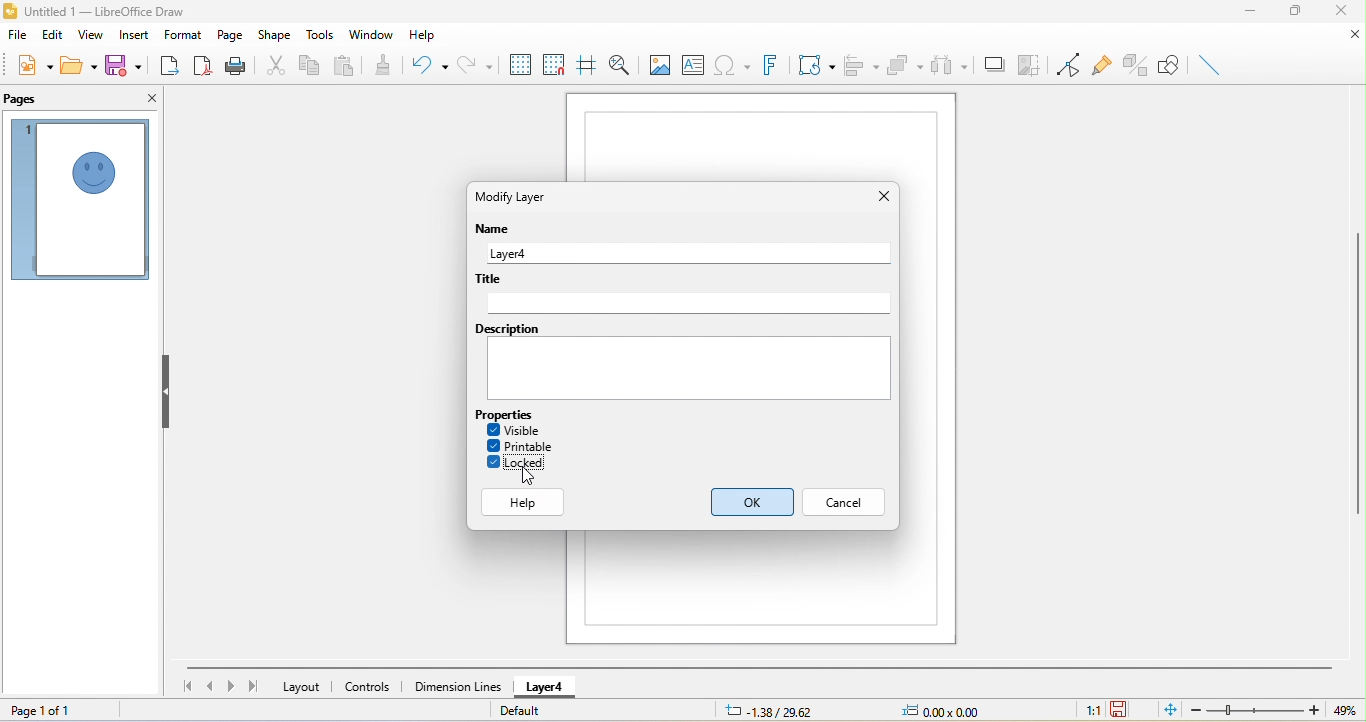  Describe the element at coordinates (847, 503) in the screenshot. I see `cancel` at that location.